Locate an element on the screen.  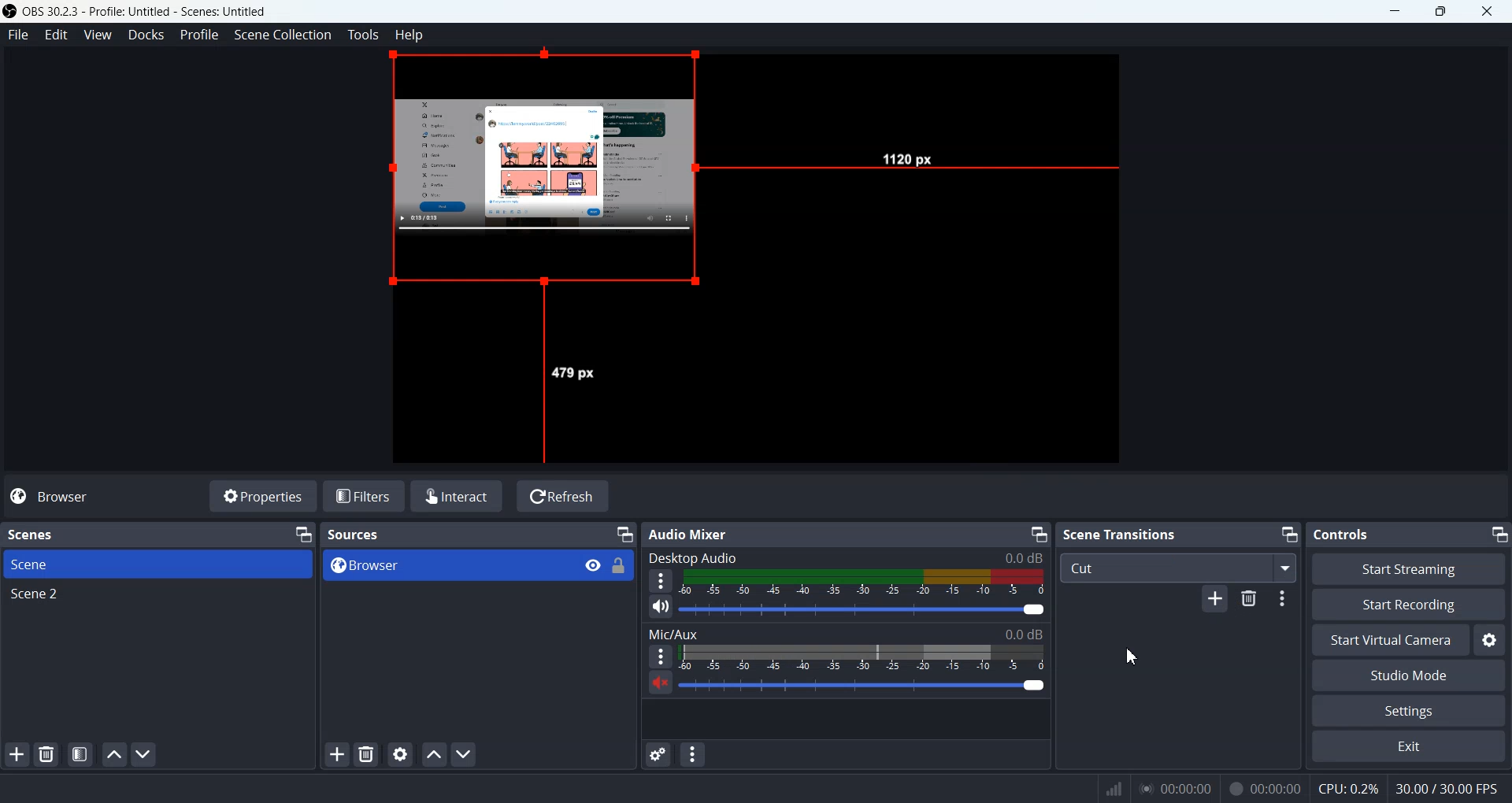
Add source is located at coordinates (335, 754).